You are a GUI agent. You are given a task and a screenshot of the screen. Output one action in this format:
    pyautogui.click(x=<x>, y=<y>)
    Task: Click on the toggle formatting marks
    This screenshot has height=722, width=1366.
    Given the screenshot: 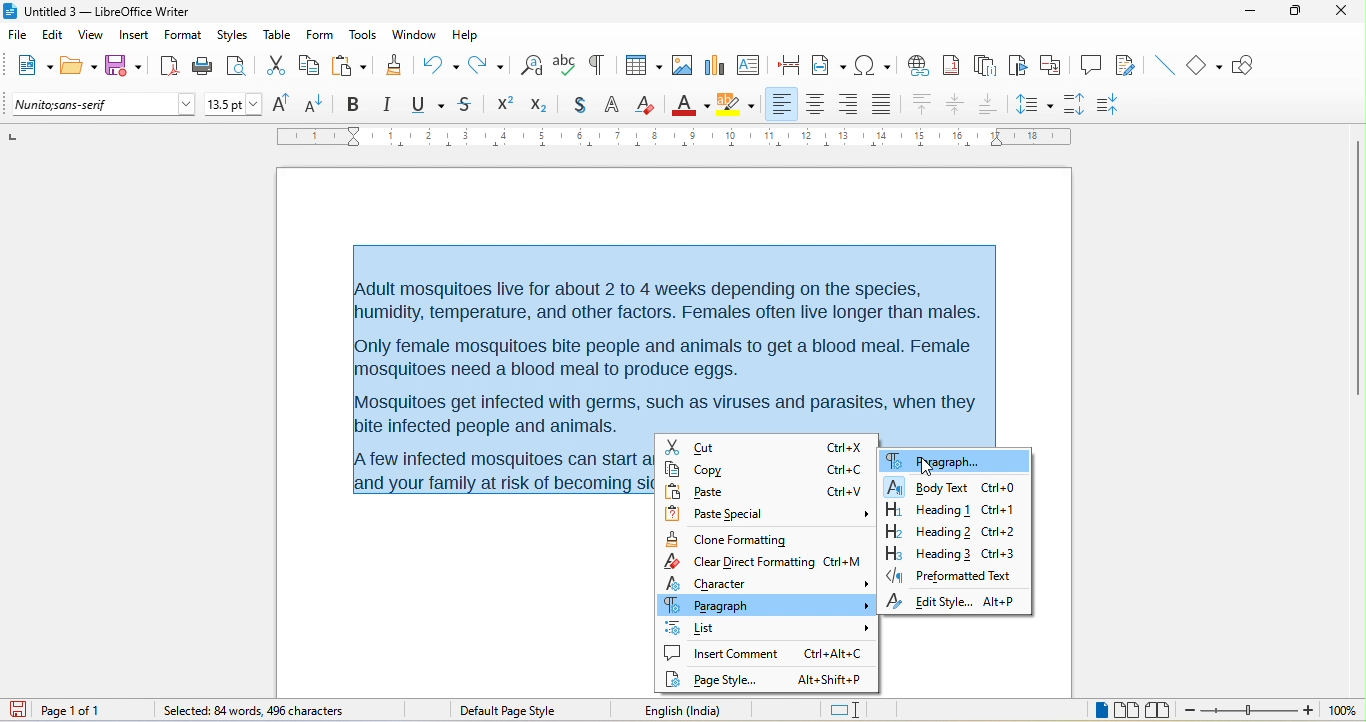 What is the action you would take?
    pyautogui.click(x=596, y=65)
    